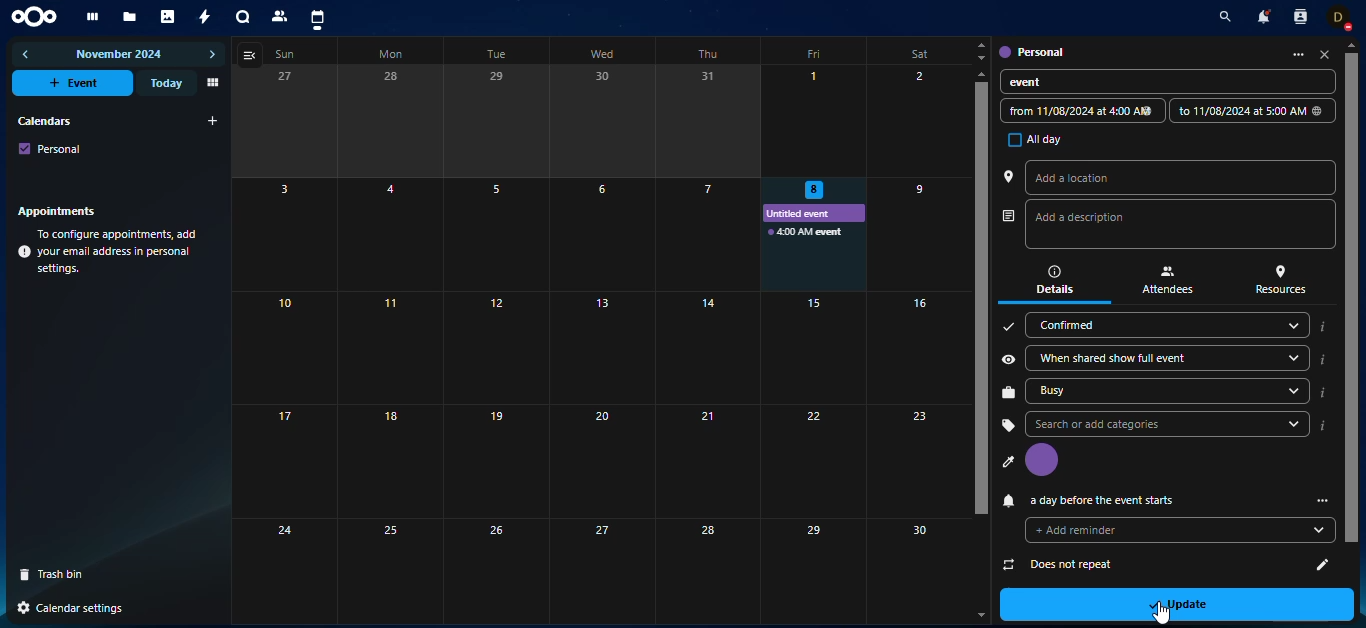 The width and height of the screenshot is (1366, 628). What do you see at coordinates (1350, 301) in the screenshot?
I see `scroll bar` at bounding box center [1350, 301].